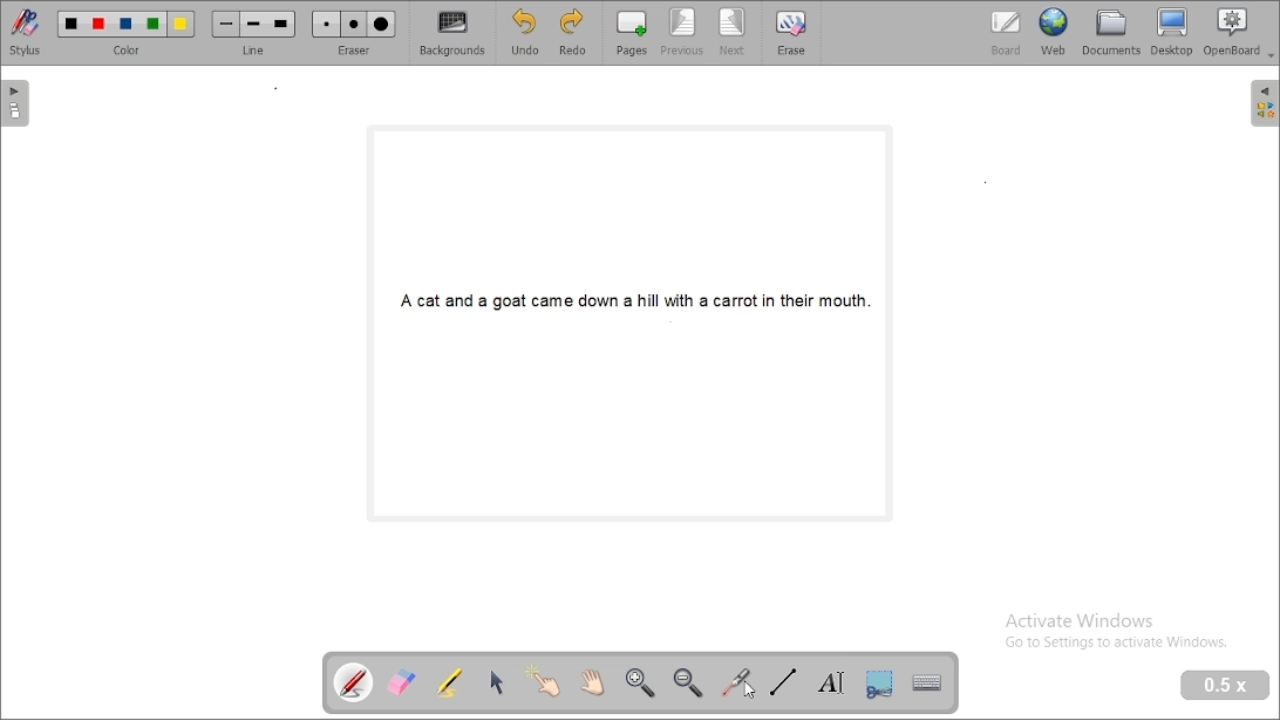 Image resolution: width=1280 pixels, height=720 pixels. I want to click on Activate Windows
Go to Settings to activate Windows., so click(1115, 634).